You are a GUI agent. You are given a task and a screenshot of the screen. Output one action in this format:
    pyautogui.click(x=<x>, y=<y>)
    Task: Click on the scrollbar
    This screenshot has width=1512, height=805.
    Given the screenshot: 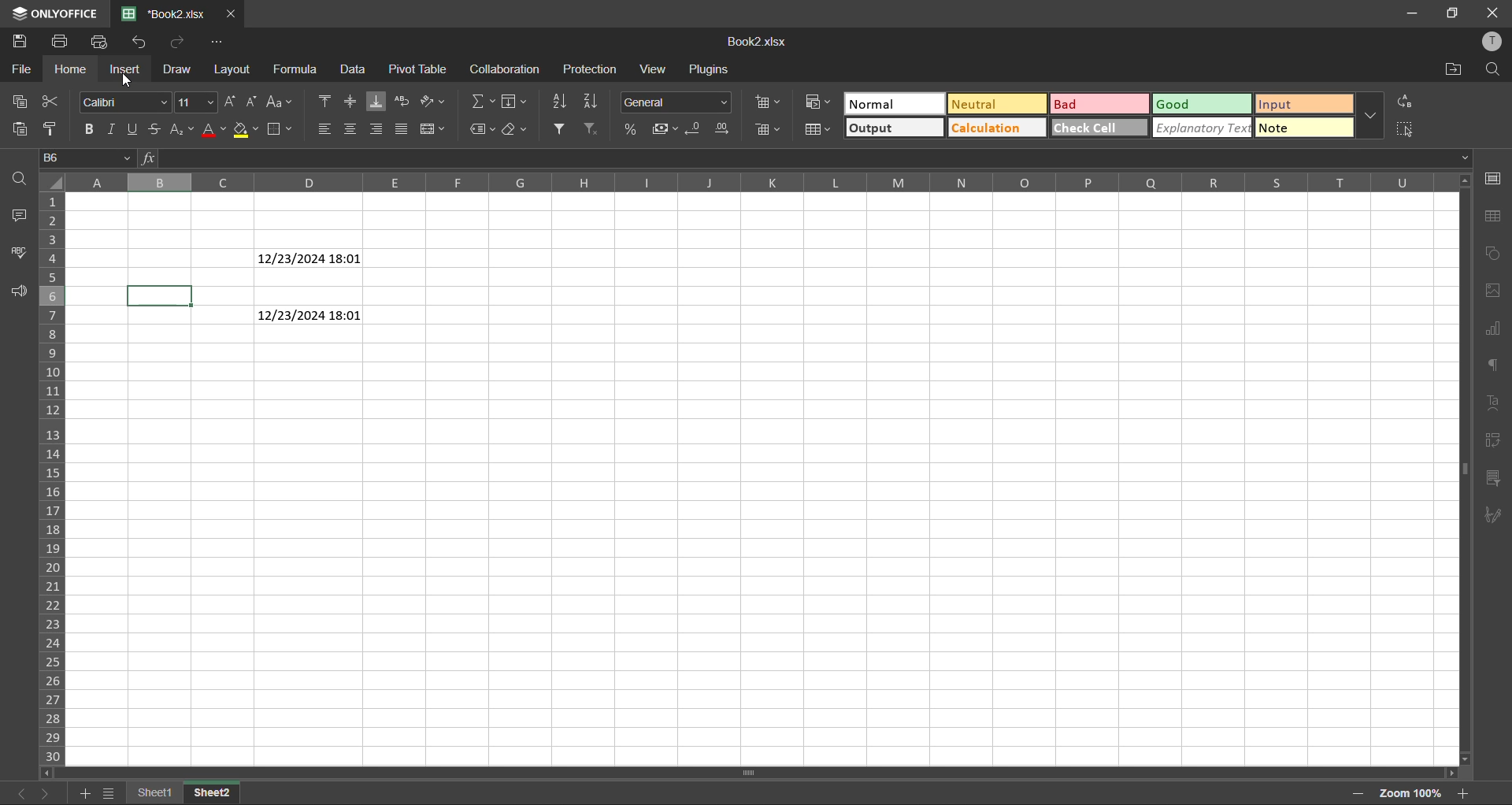 What is the action you would take?
    pyautogui.click(x=1464, y=469)
    